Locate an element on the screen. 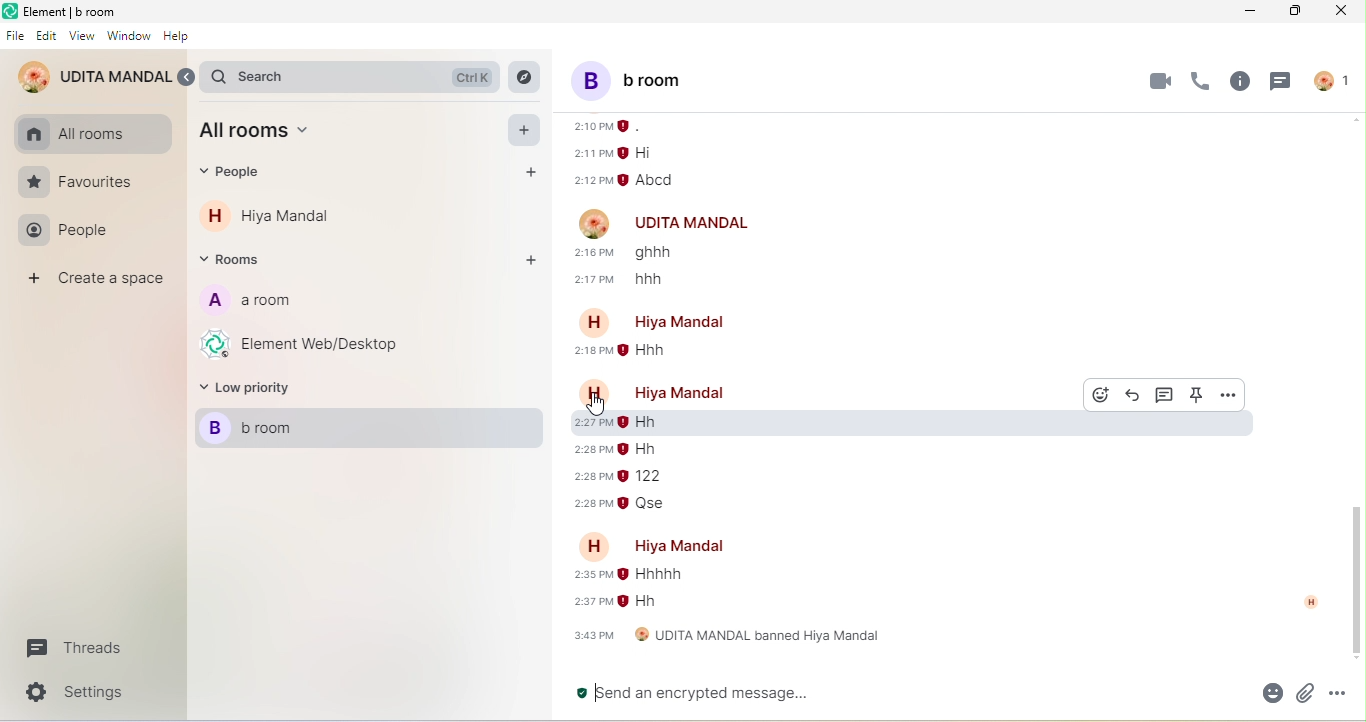 This screenshot has height=722, width=1366. close is located at coordinates (1340, 11).